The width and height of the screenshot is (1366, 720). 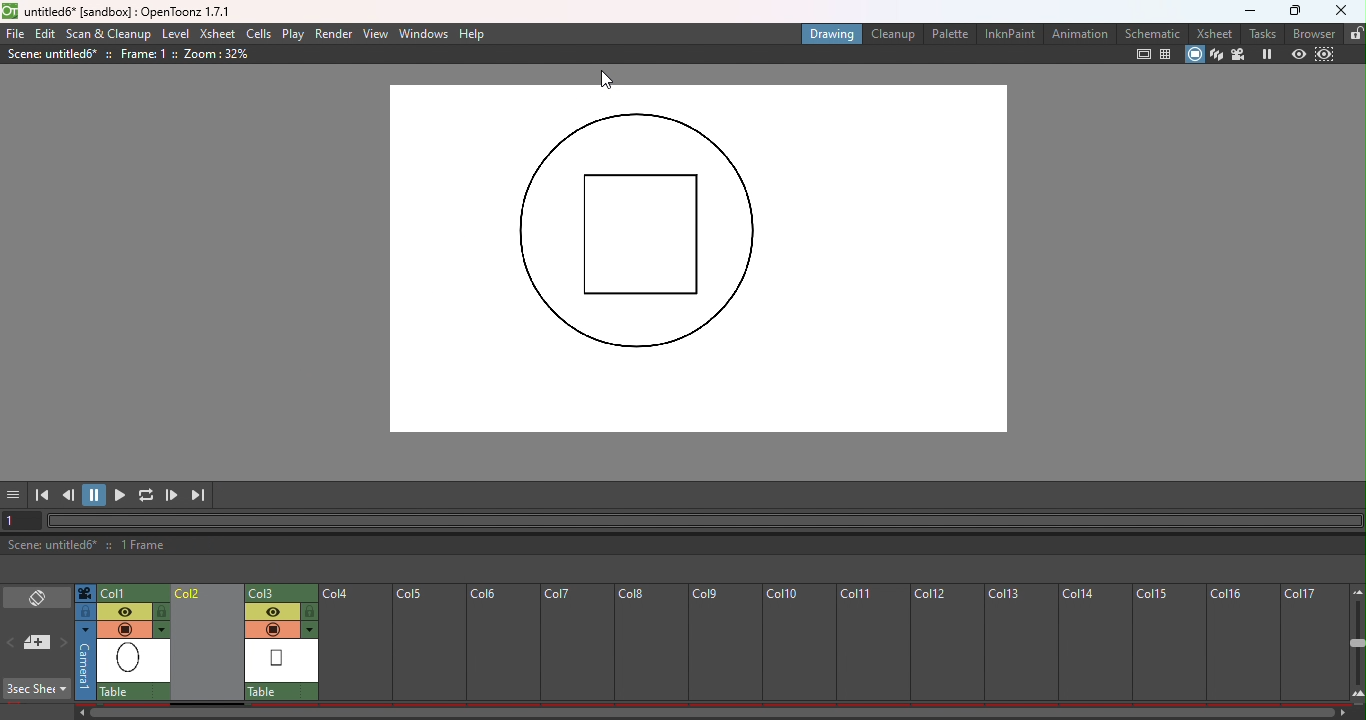 I want to click on Horizontal scroll bar, so click(x=706, y=518).